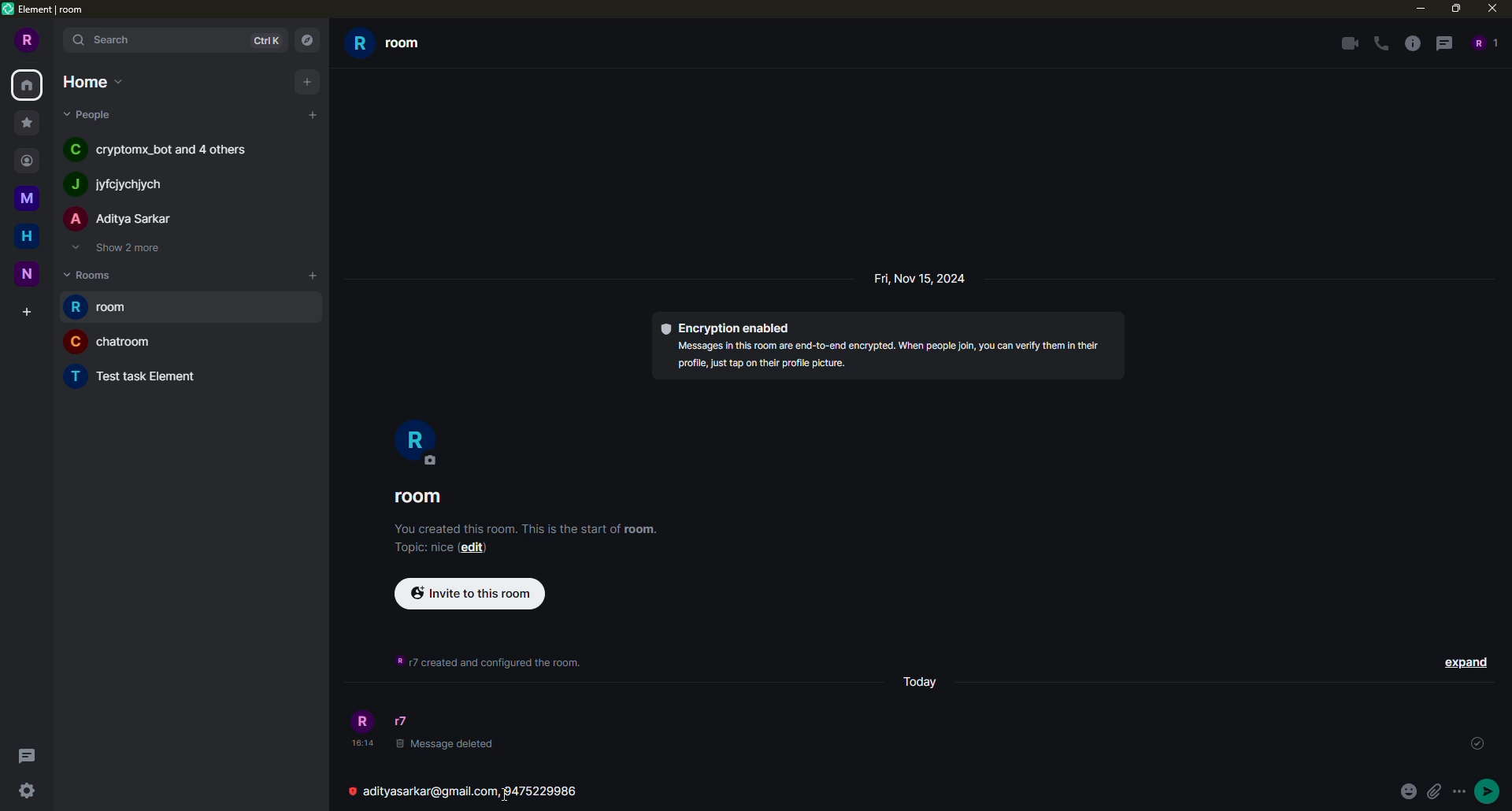  What do you see at coordinates (928, 278) in the screenshot?
I see `day` at bounding box center [928, 278].